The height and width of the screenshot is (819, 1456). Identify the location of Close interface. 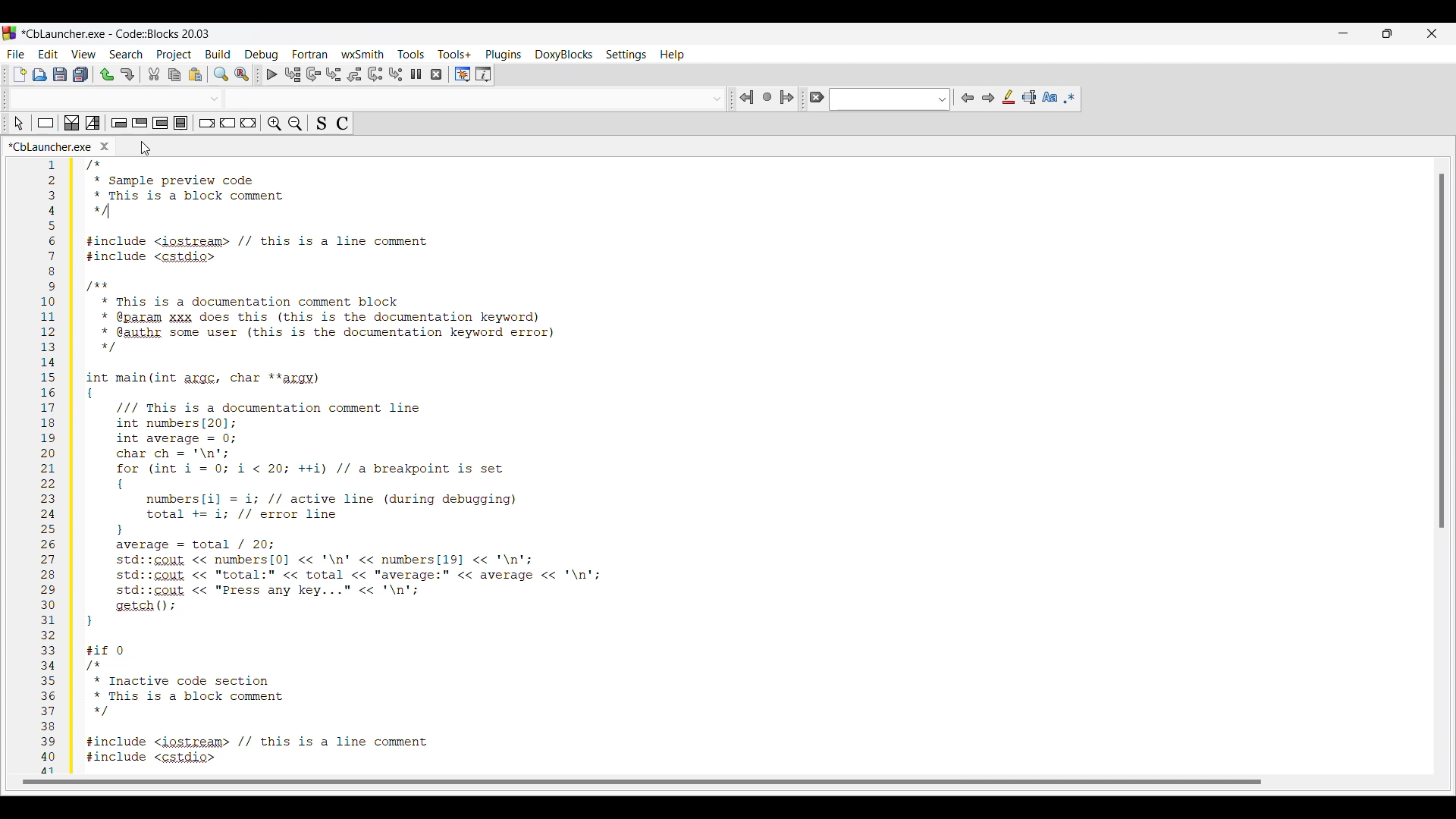
(1432, 33).